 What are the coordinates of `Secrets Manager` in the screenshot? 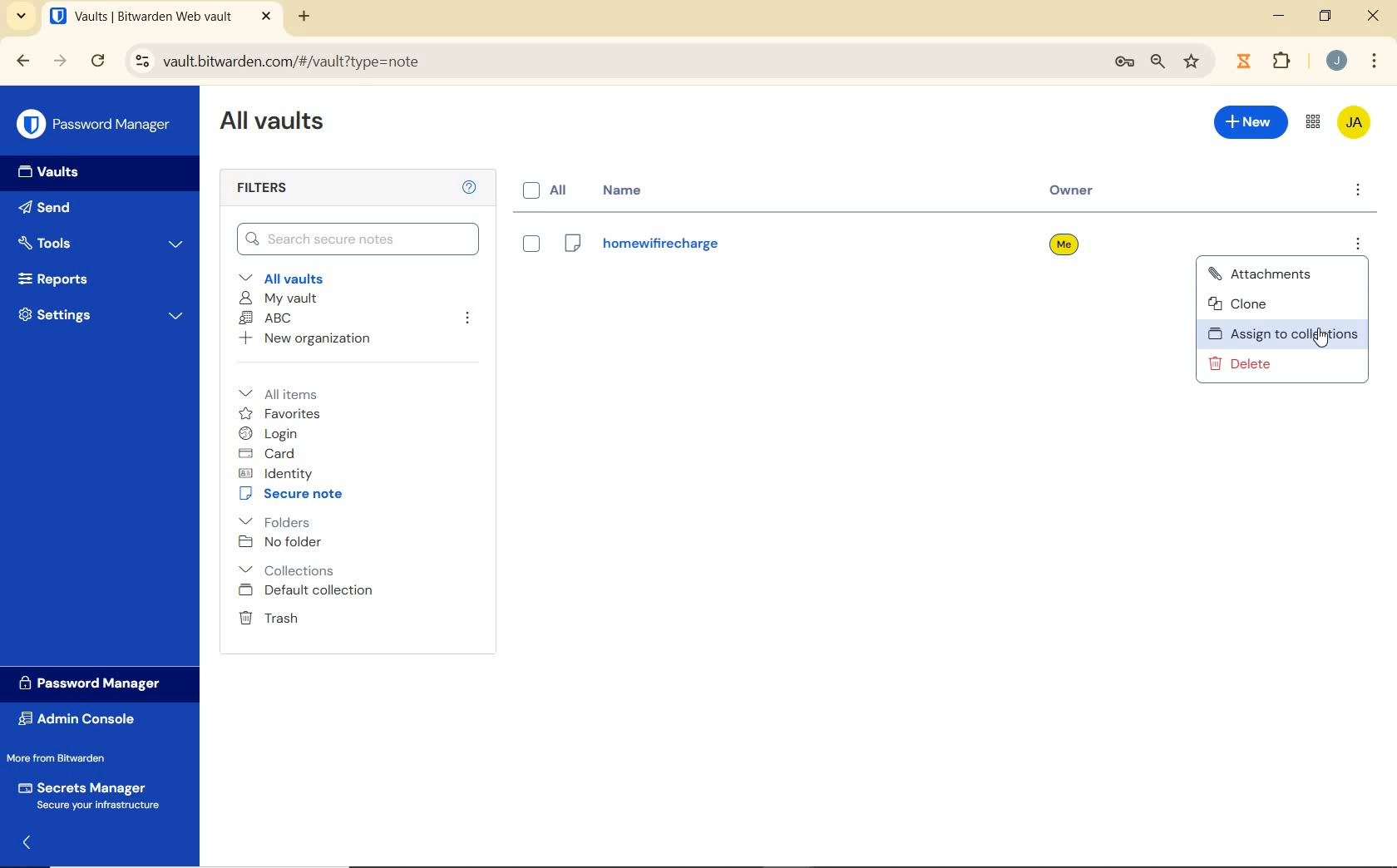 It's located at (93, 795).